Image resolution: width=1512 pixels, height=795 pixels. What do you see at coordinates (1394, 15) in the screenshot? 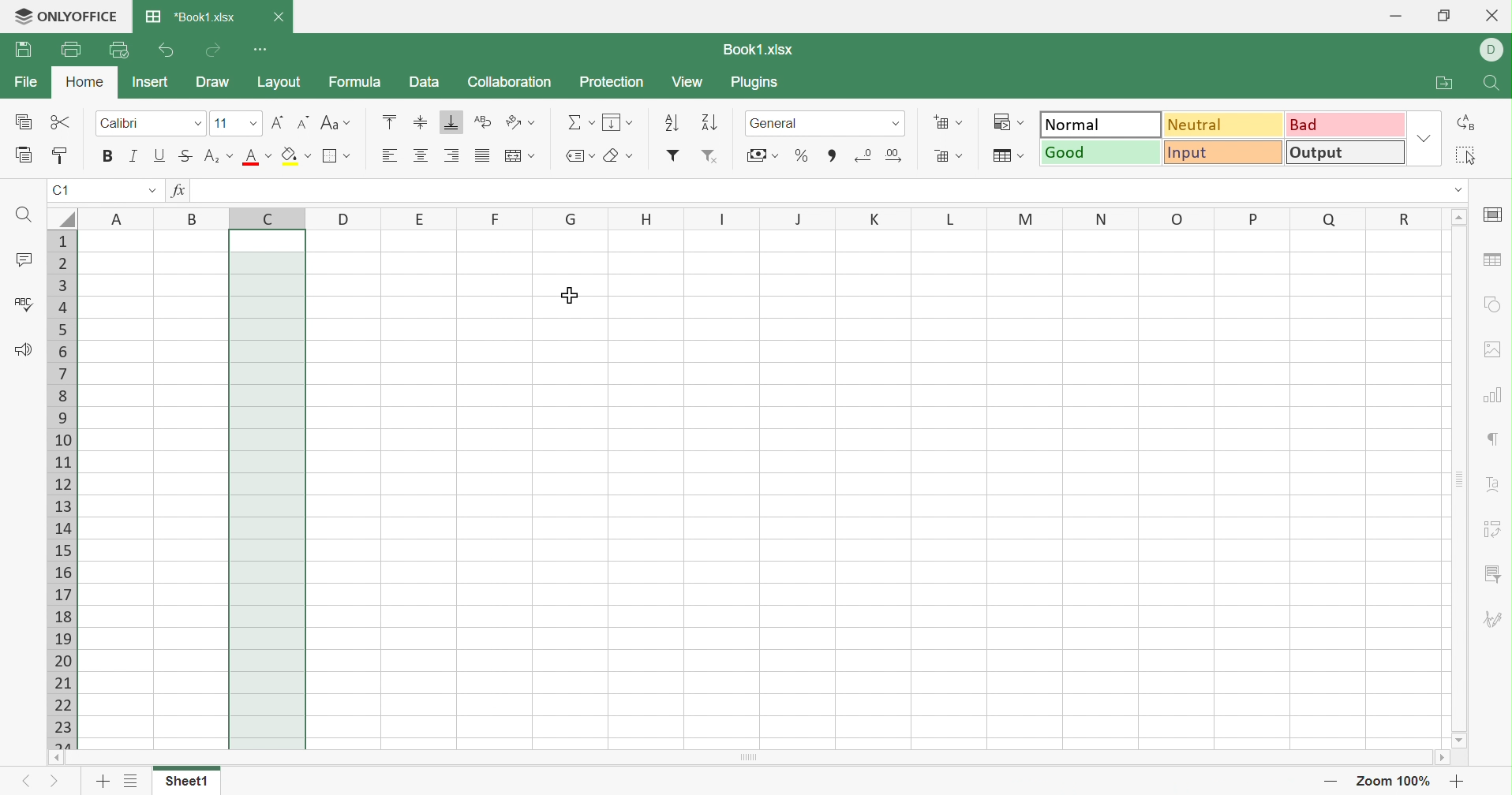
I see `Minimize` at bounding box center [1394, 15].